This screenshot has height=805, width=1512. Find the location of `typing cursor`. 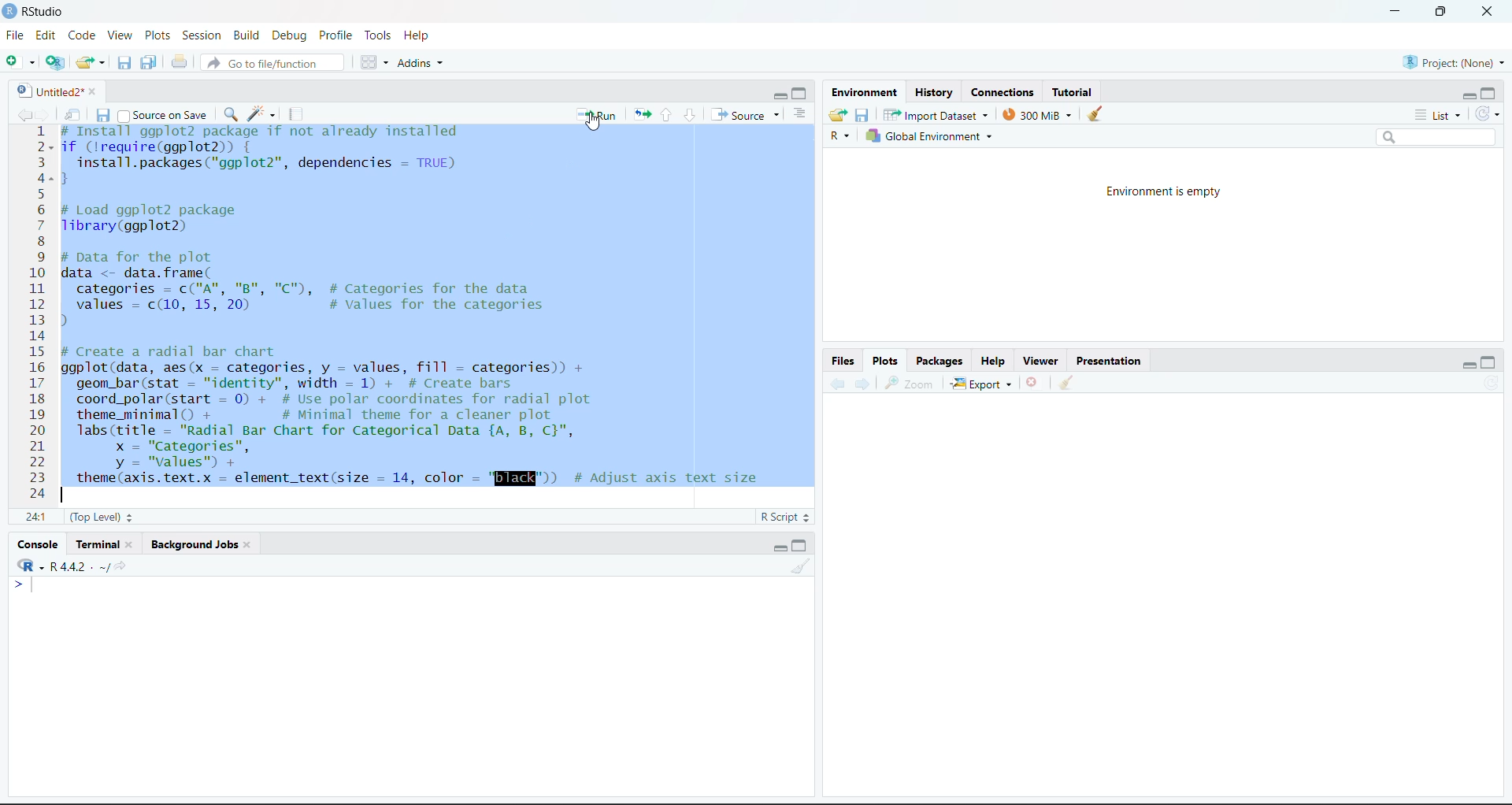

typing cursor is located at coordinates (27, 588).